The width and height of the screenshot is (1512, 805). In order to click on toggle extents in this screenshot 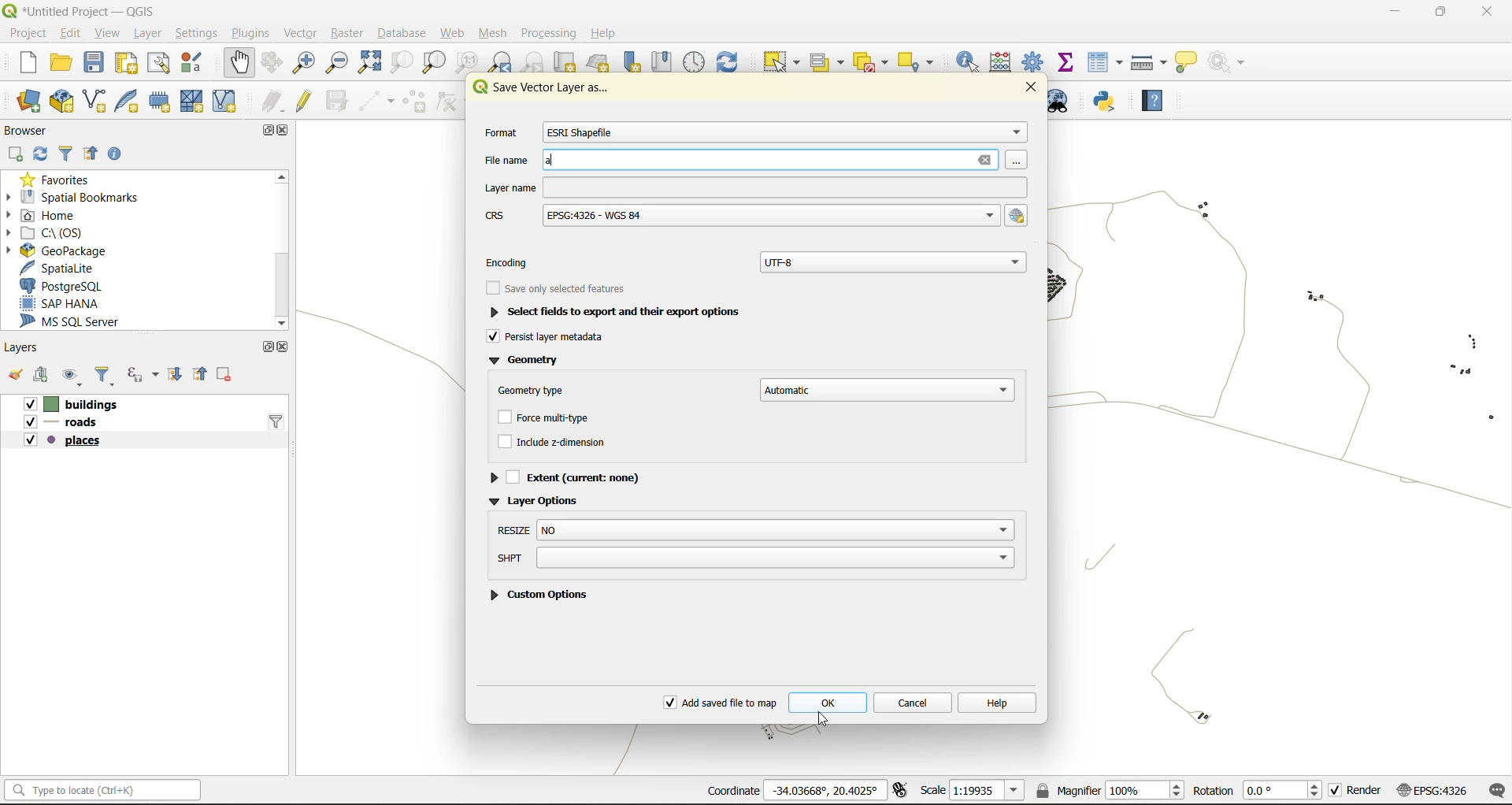, I will do `click(902, 790)`.